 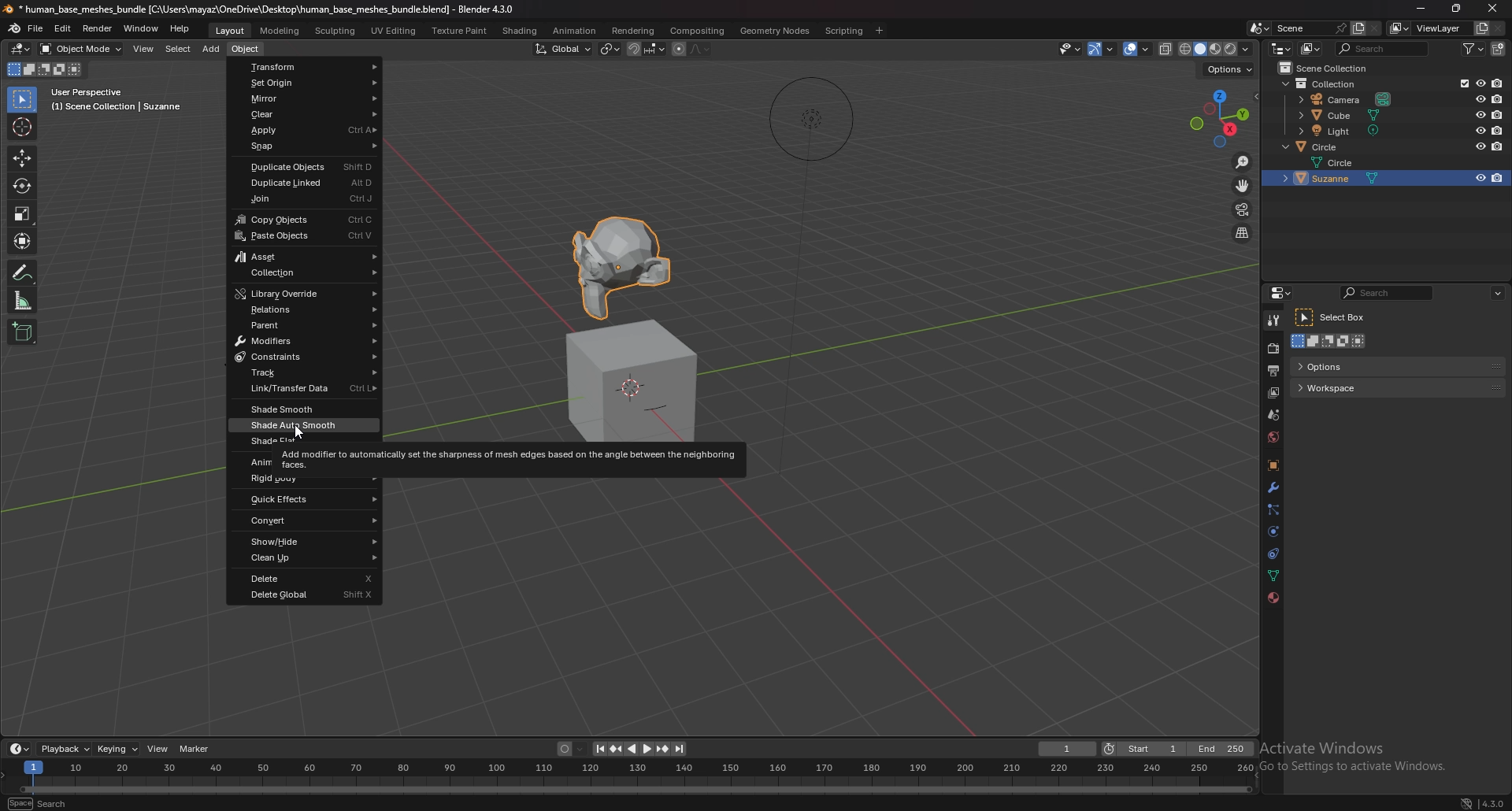 I want to click on cursor, so click(x=300, y=428).